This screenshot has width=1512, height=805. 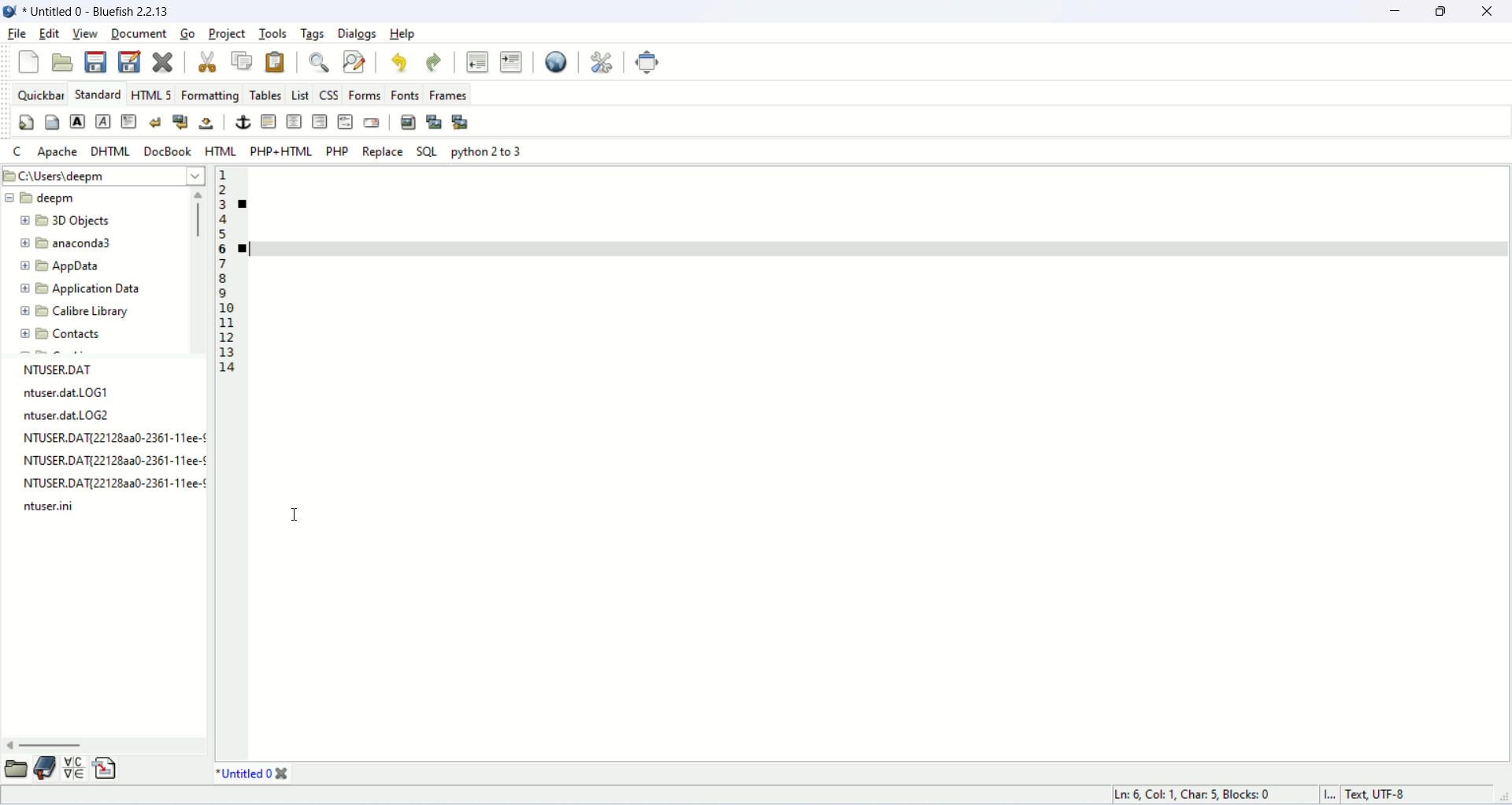 I want to click on cursor position, so click(x=1199, y=796).